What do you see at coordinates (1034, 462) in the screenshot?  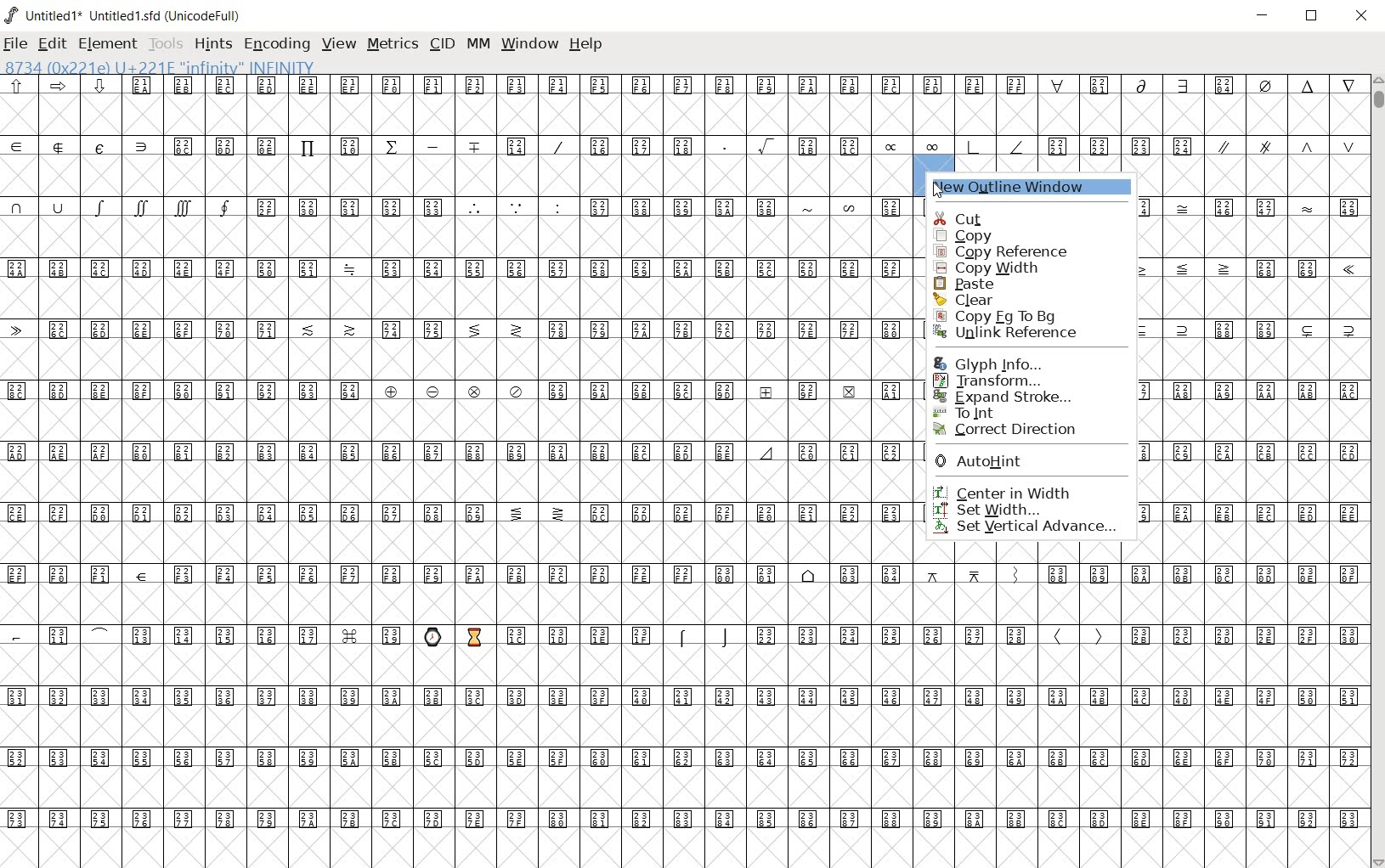 I see `AutoHint` at bounding box center [1034, 462].